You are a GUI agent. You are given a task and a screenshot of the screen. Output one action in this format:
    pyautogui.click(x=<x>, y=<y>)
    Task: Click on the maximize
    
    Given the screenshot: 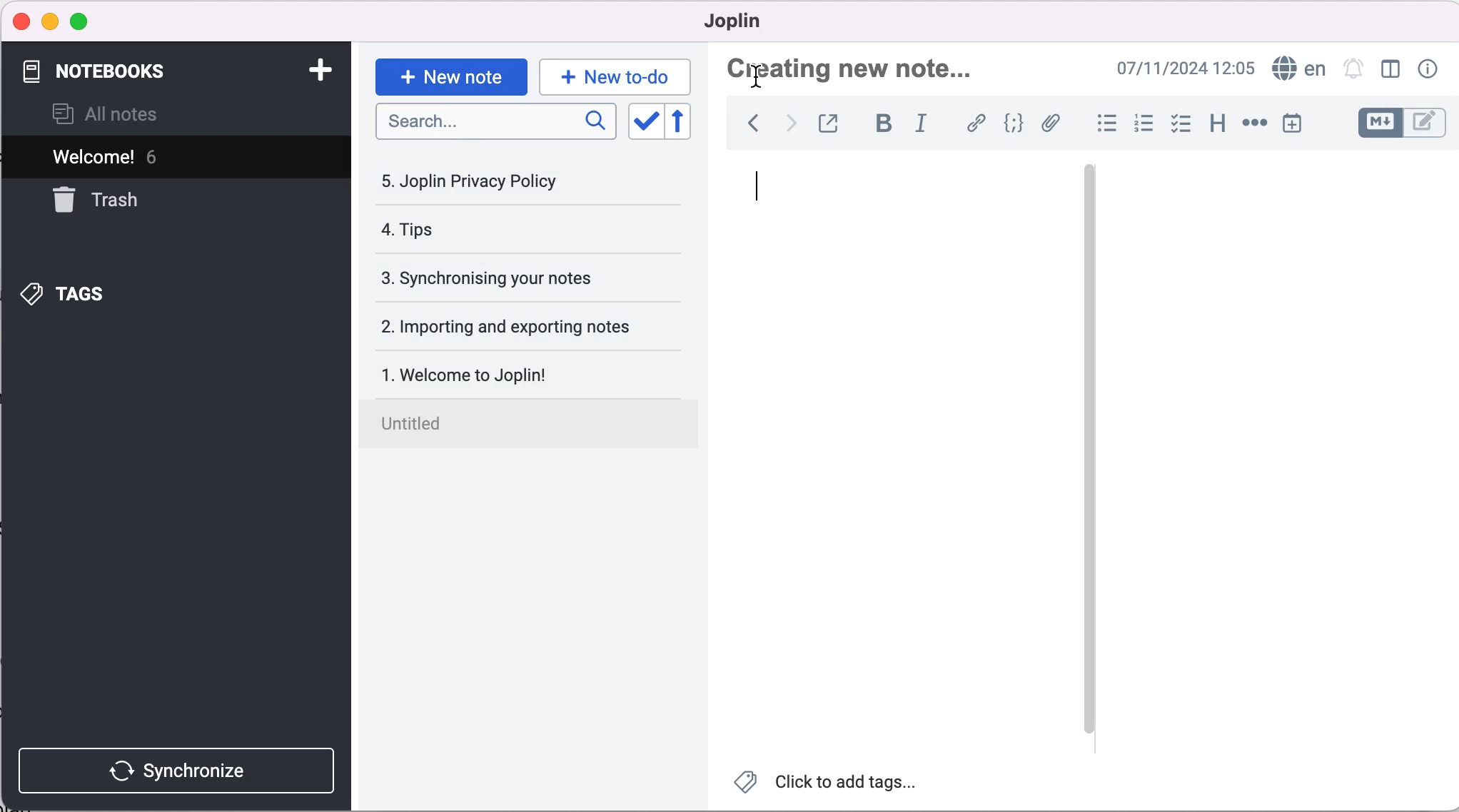 What is the action you would take?
    pyautogui.click(x=83, y=21)
    